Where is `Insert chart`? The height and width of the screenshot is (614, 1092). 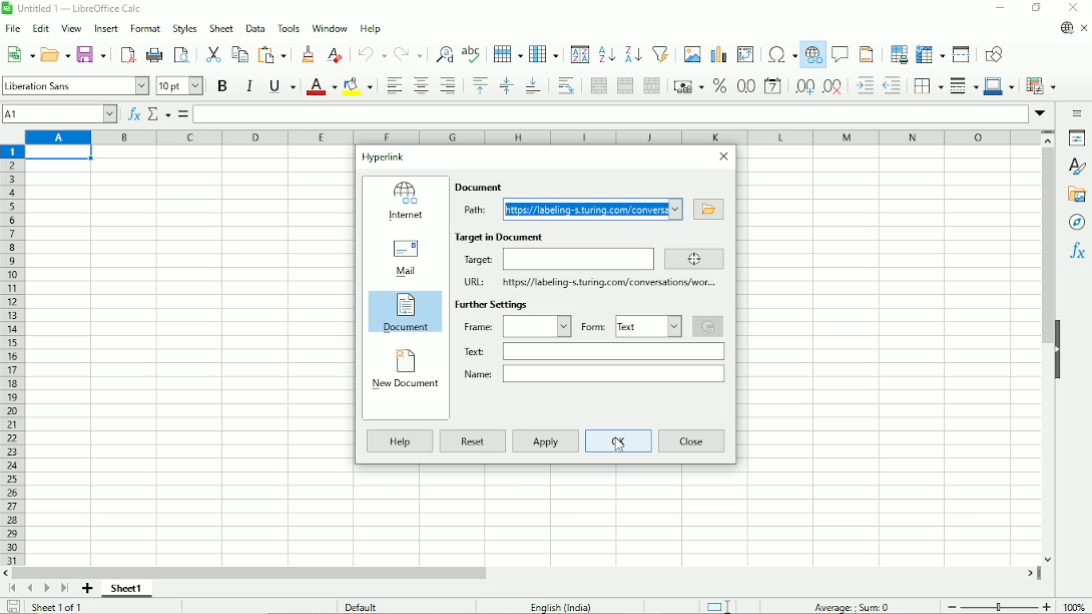 Insert chart is located at coordinates (717, 54).